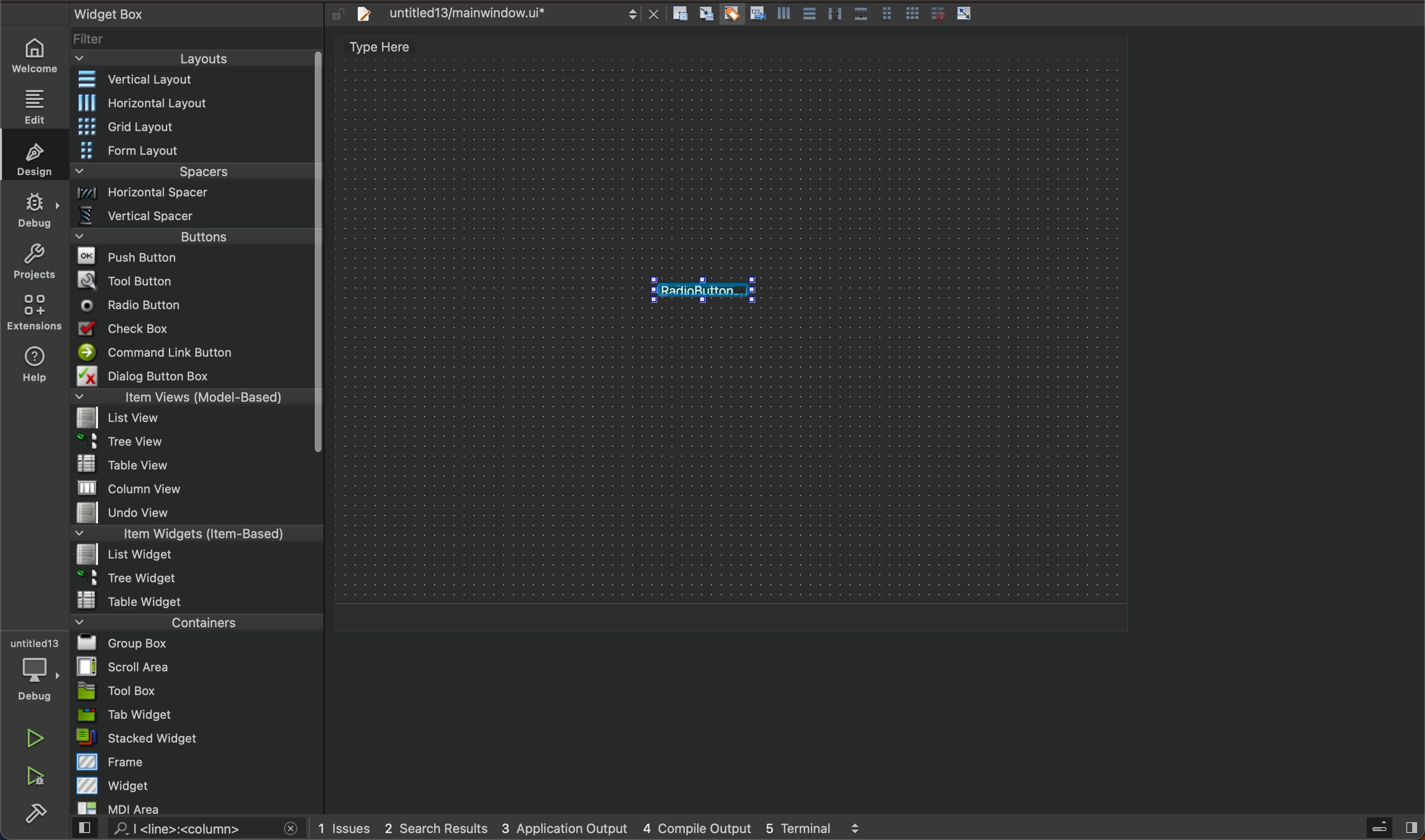 The height and width of the screenshot is (840, 1425). What do you see at coordinates (36, 209) in the screenshot?
I see `debug` at bounding box center [36, 209].